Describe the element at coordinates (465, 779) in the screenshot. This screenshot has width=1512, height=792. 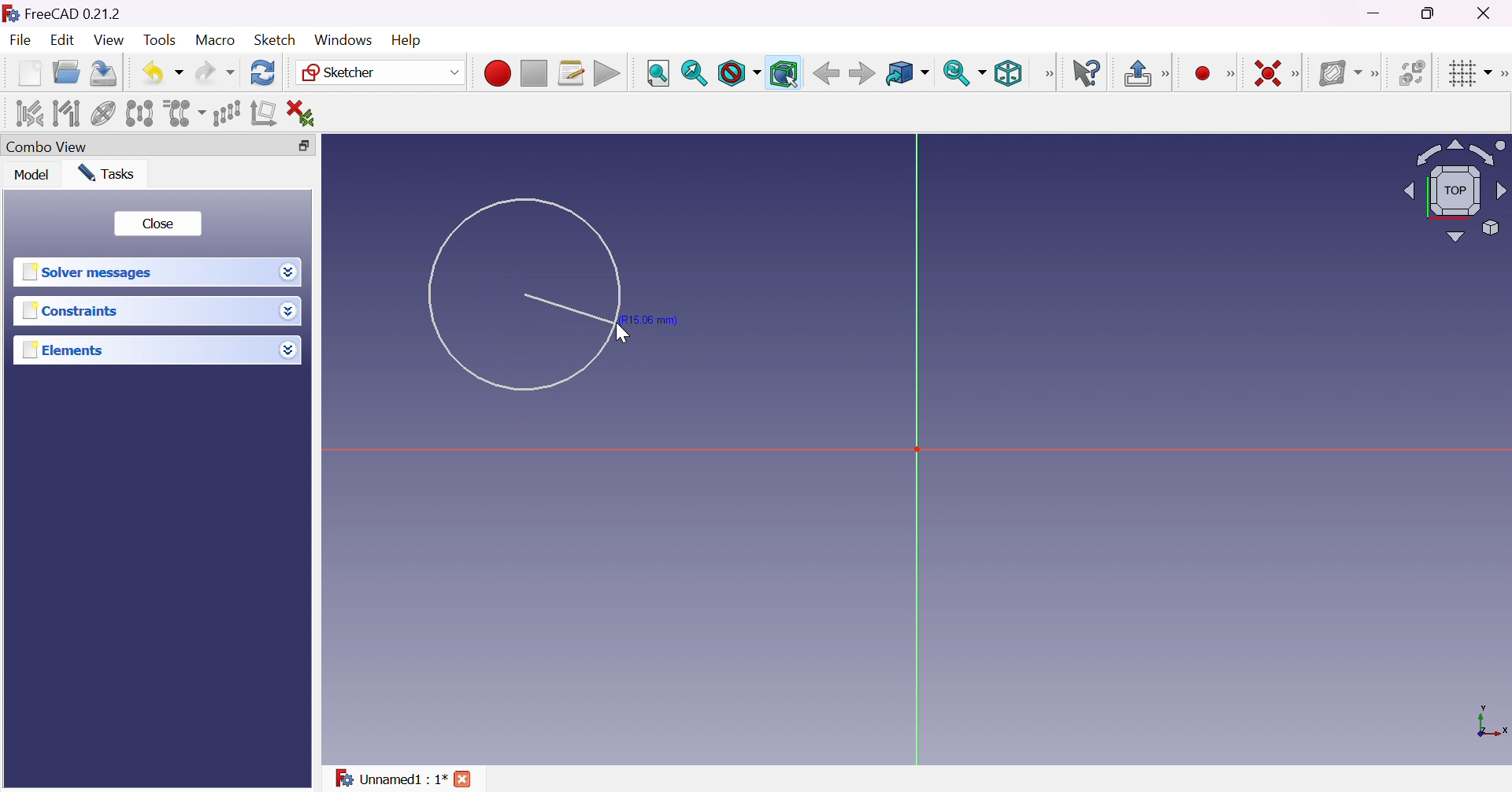
I see `close` at that location.